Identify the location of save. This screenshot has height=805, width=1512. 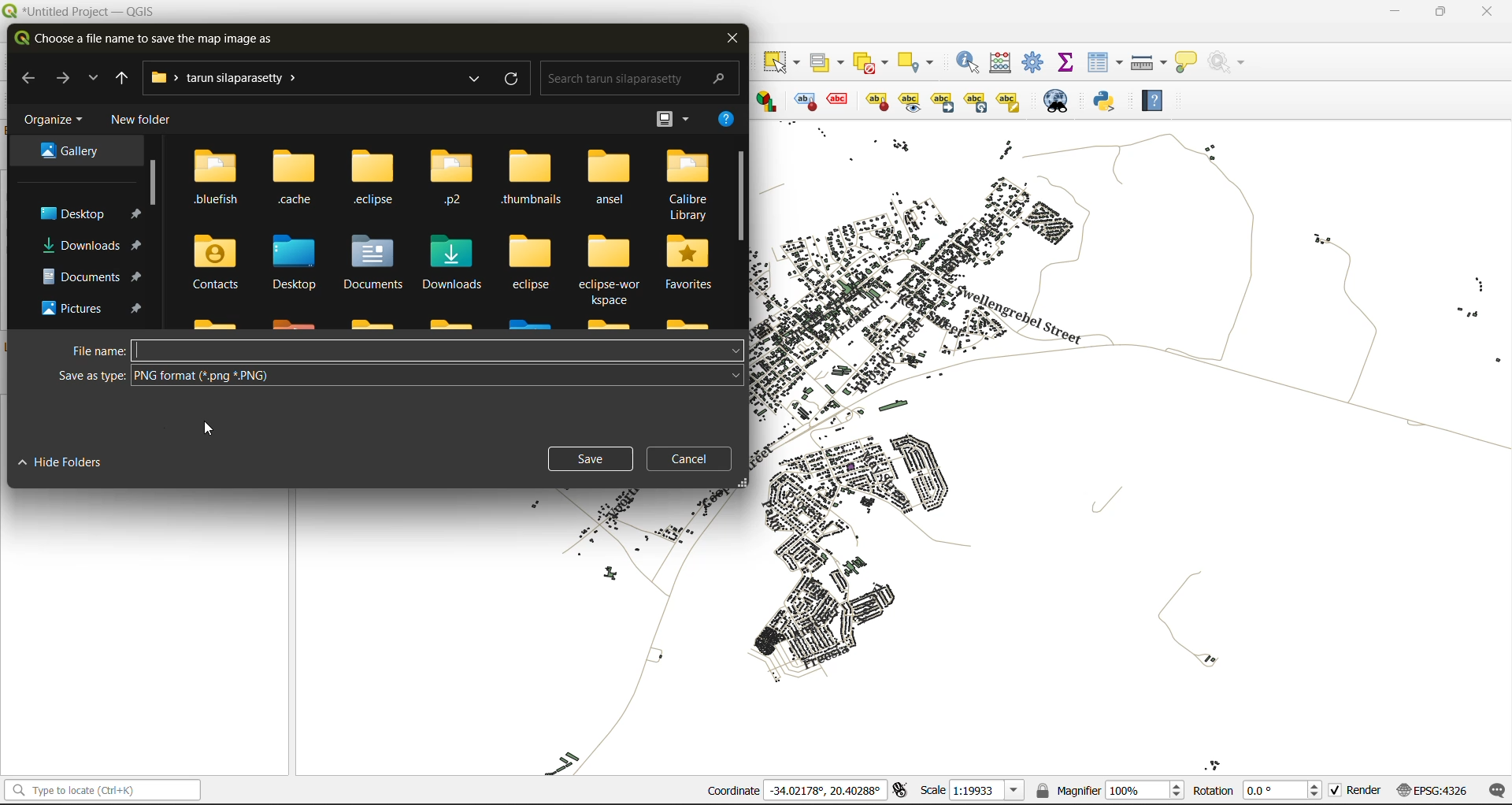
(594, 461).